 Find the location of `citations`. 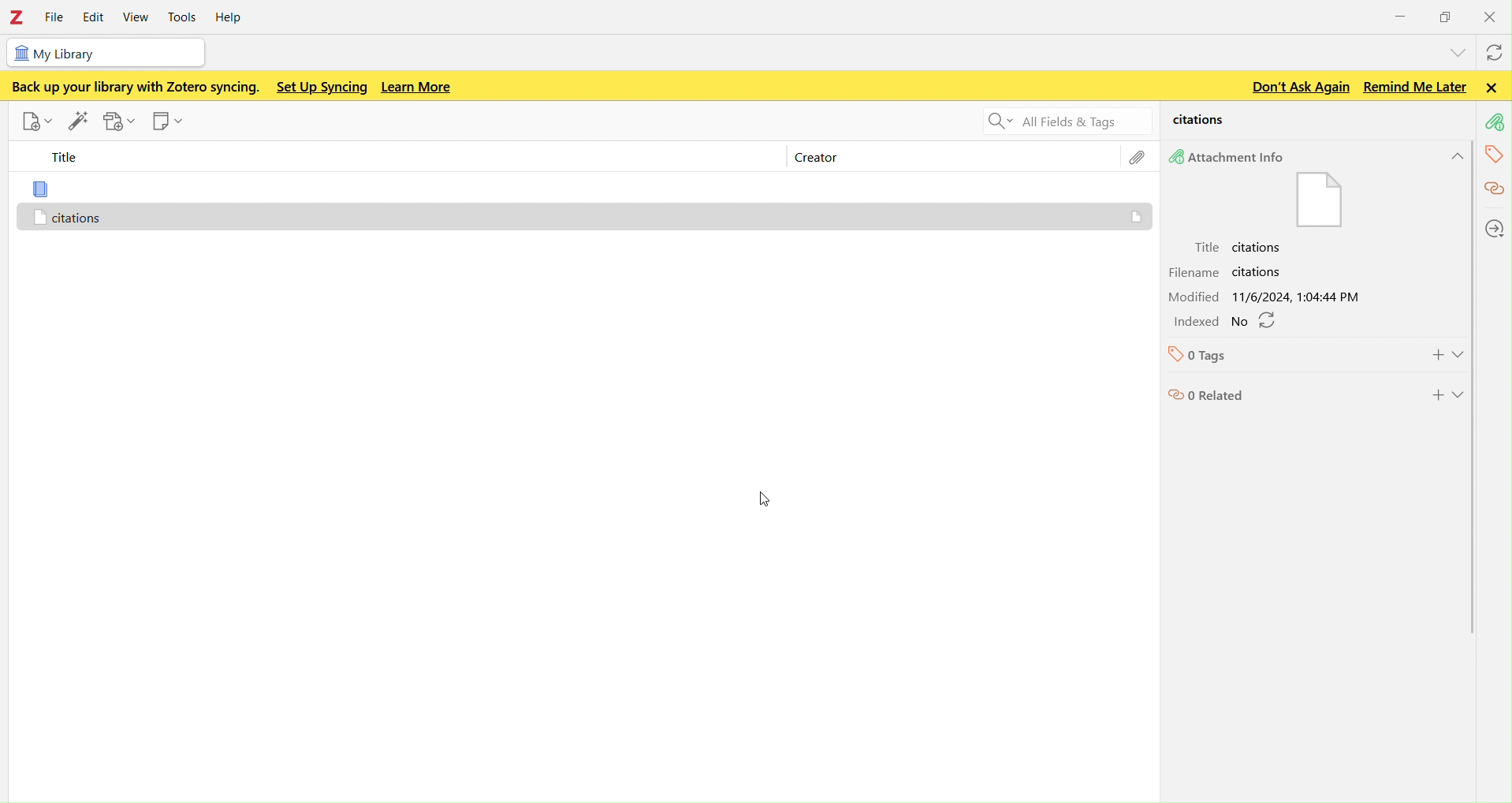

citations is located at coordinates (1500, 189).